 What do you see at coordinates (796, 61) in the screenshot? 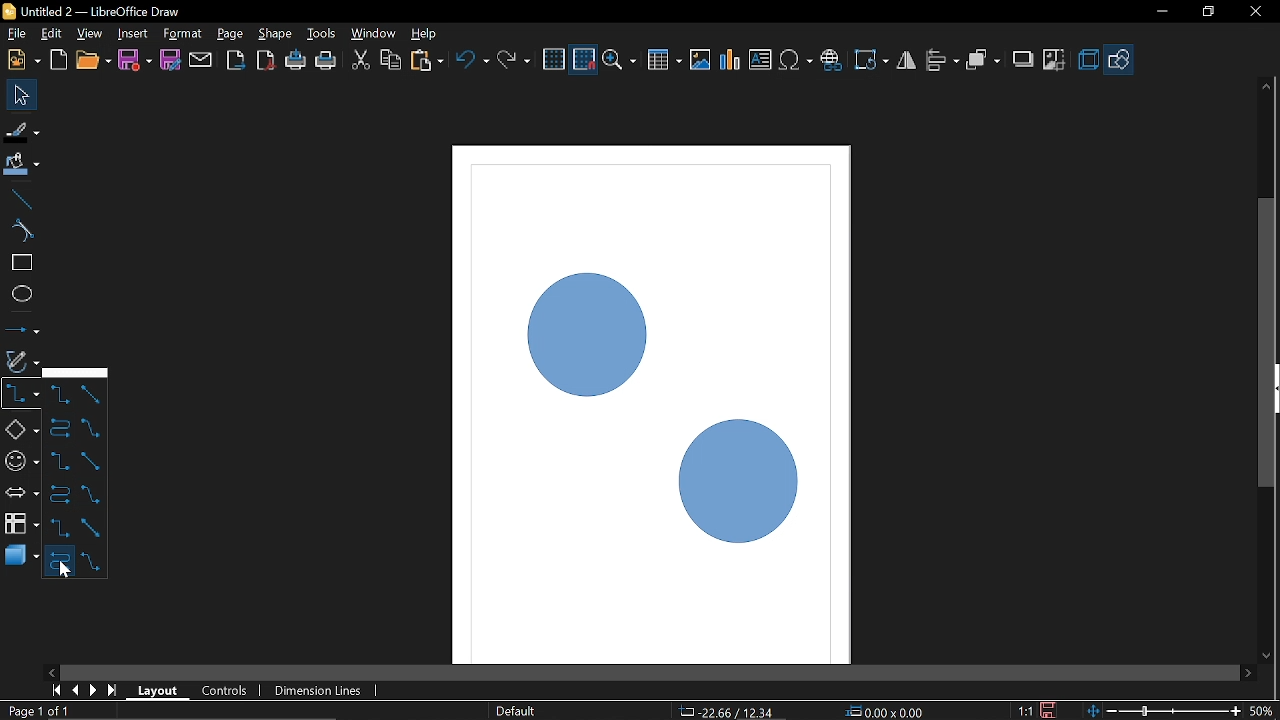
I see `Insert symbol` at bounding box center [796, 61].